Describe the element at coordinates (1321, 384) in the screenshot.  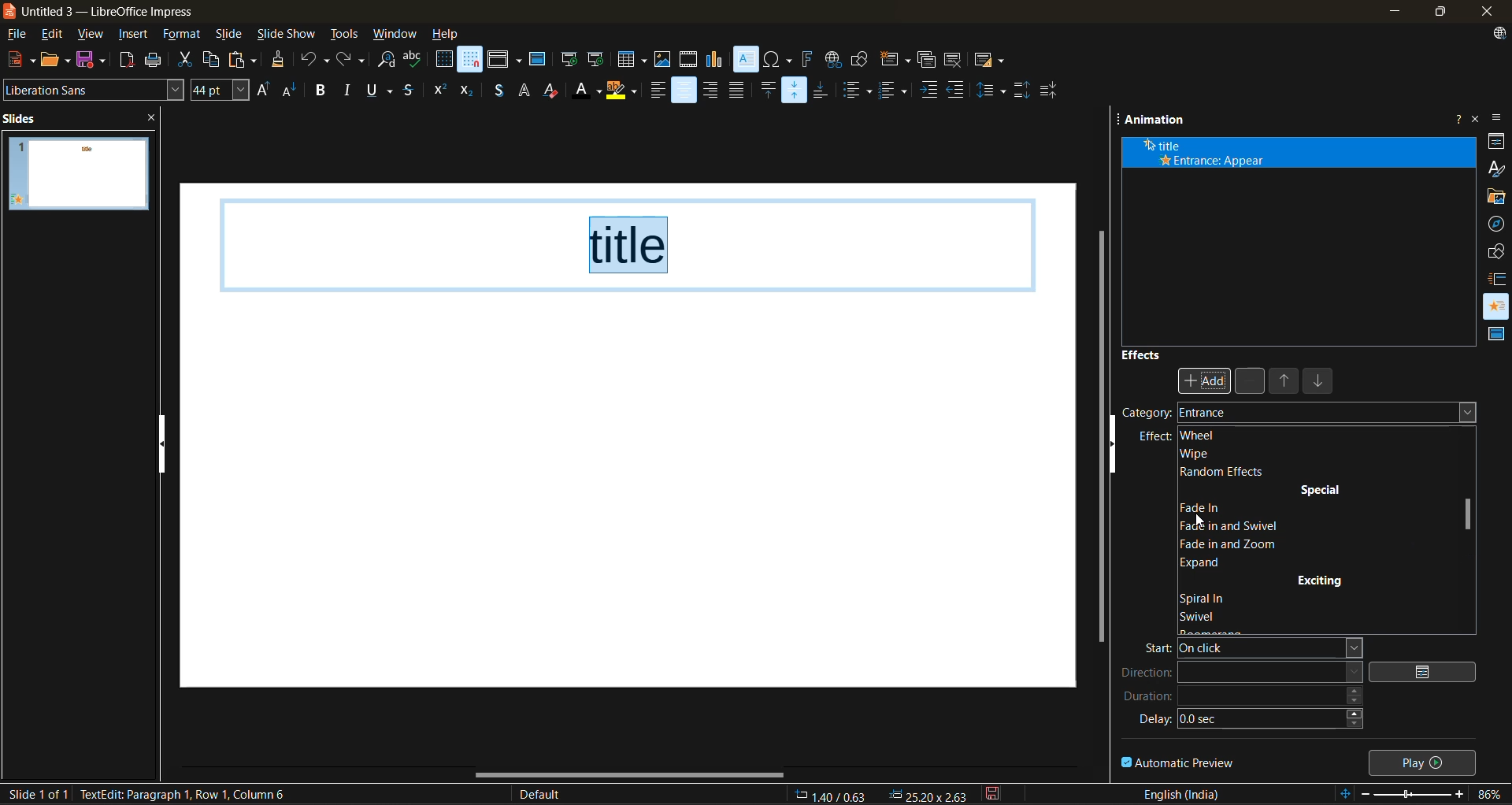
I see `move down` at that location.